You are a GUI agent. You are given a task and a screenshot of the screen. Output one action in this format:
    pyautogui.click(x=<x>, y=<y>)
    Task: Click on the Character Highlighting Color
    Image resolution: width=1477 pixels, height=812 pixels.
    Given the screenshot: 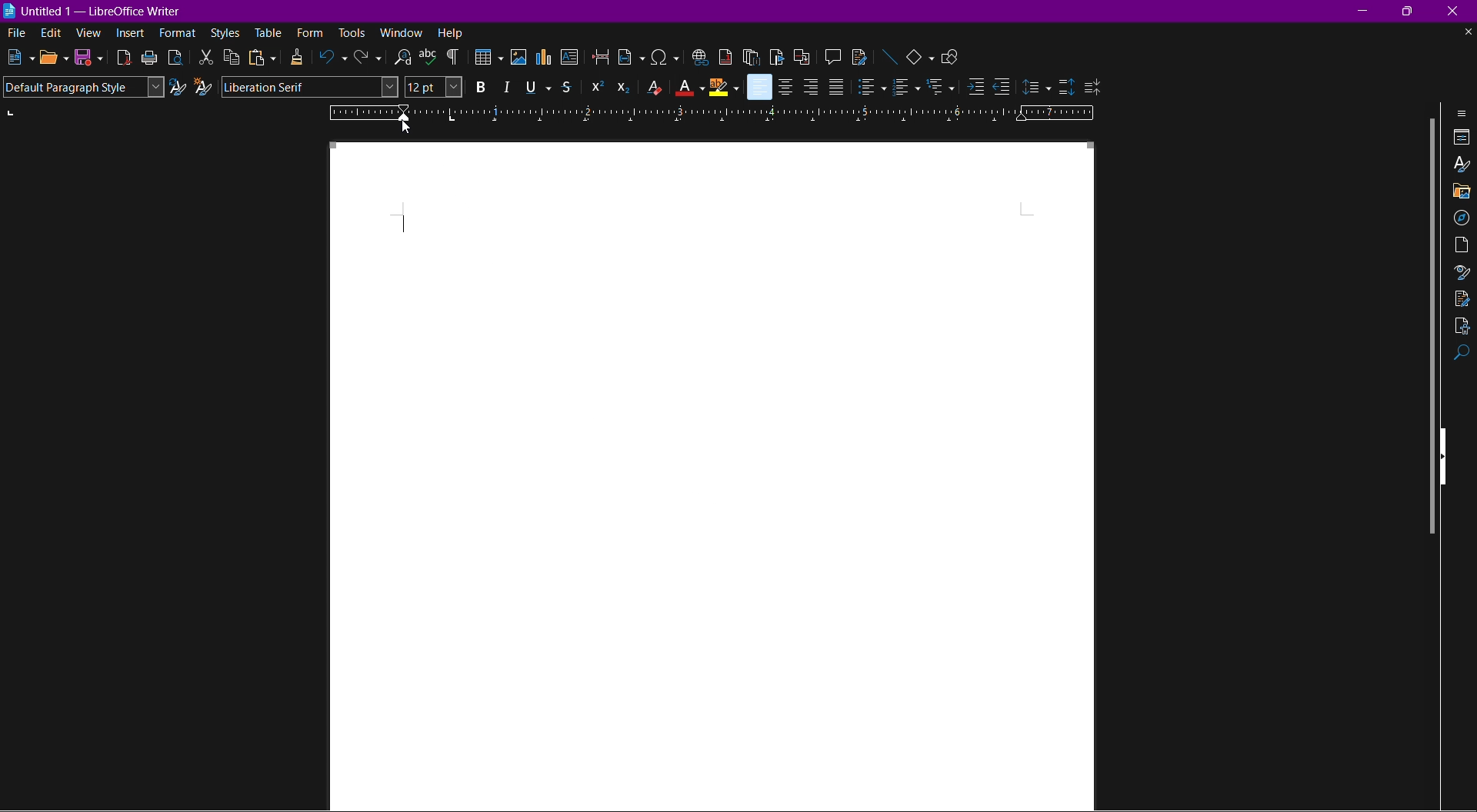 What is the action you would take?
    pyautogui.click(x=724, y=87)
    